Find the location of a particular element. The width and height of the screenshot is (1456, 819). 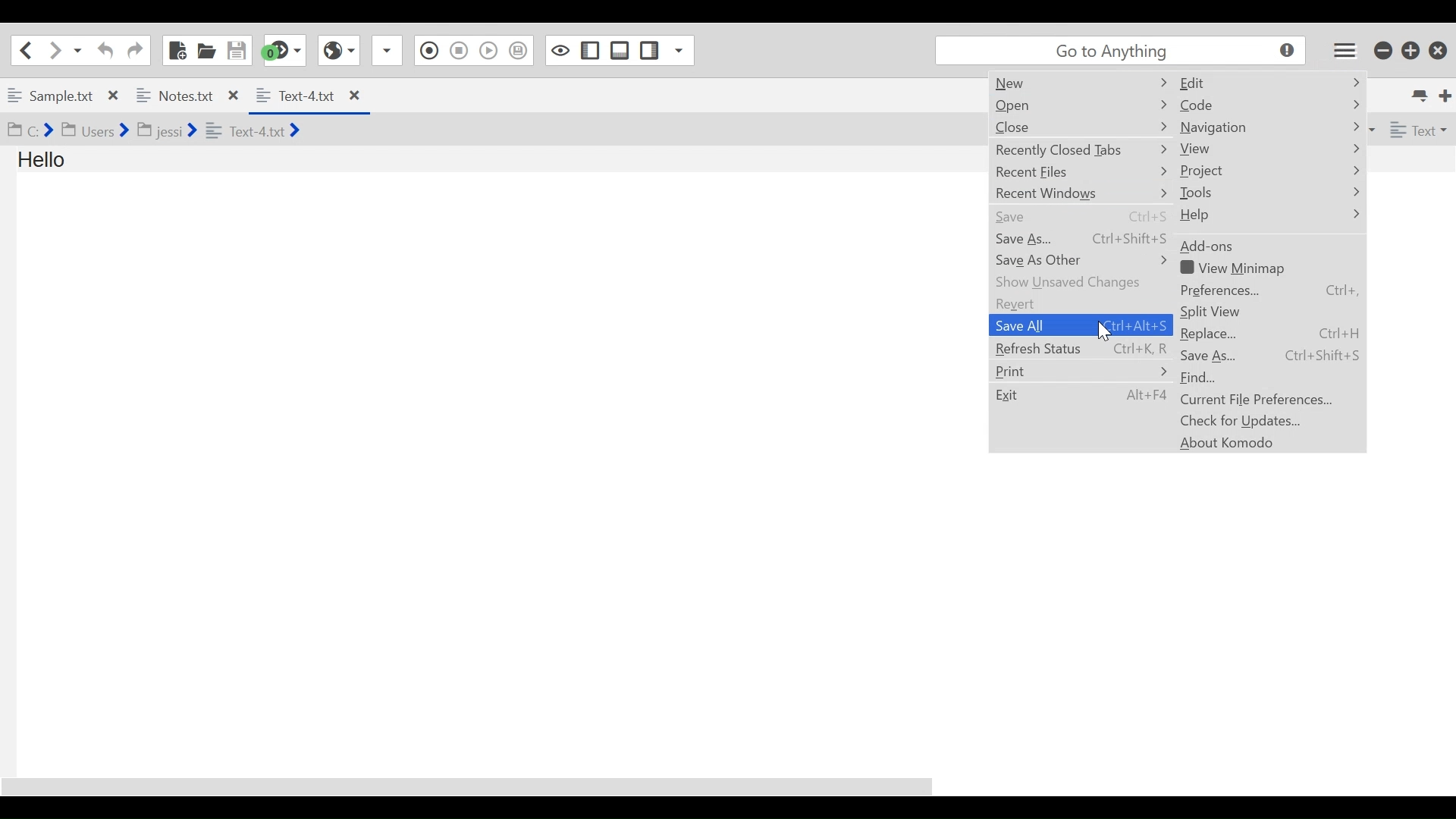

Print is located at coordinates (1081, 371).